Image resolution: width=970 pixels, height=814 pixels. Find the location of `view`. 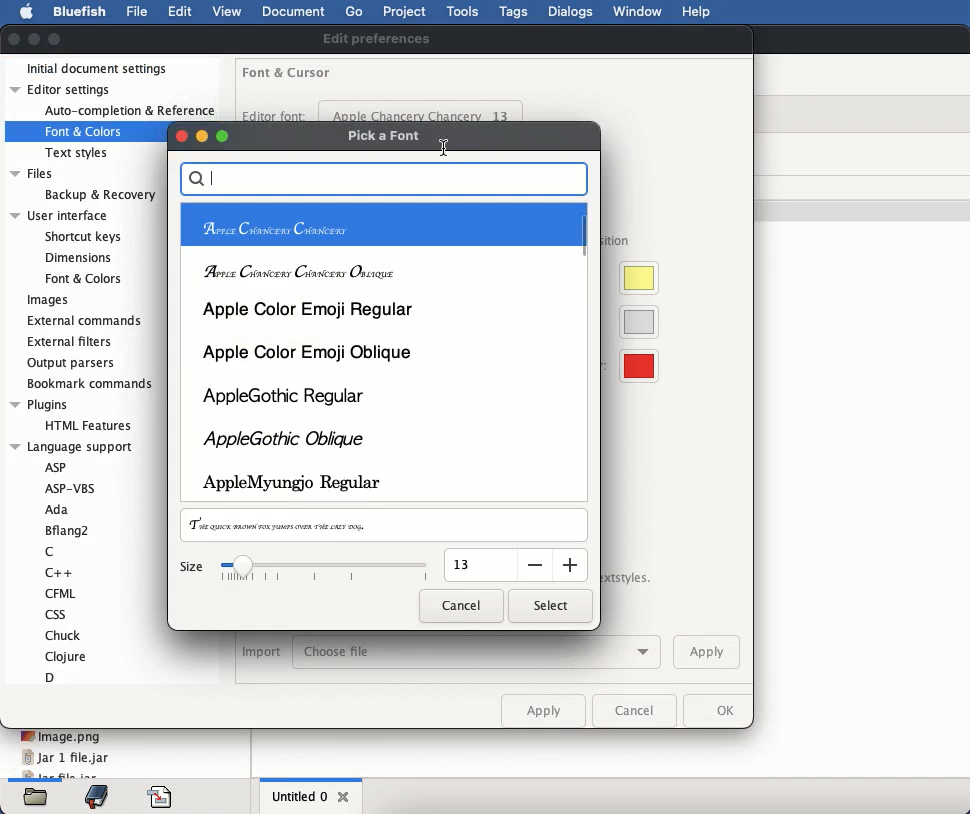

view is located at coordinates (230, 11).